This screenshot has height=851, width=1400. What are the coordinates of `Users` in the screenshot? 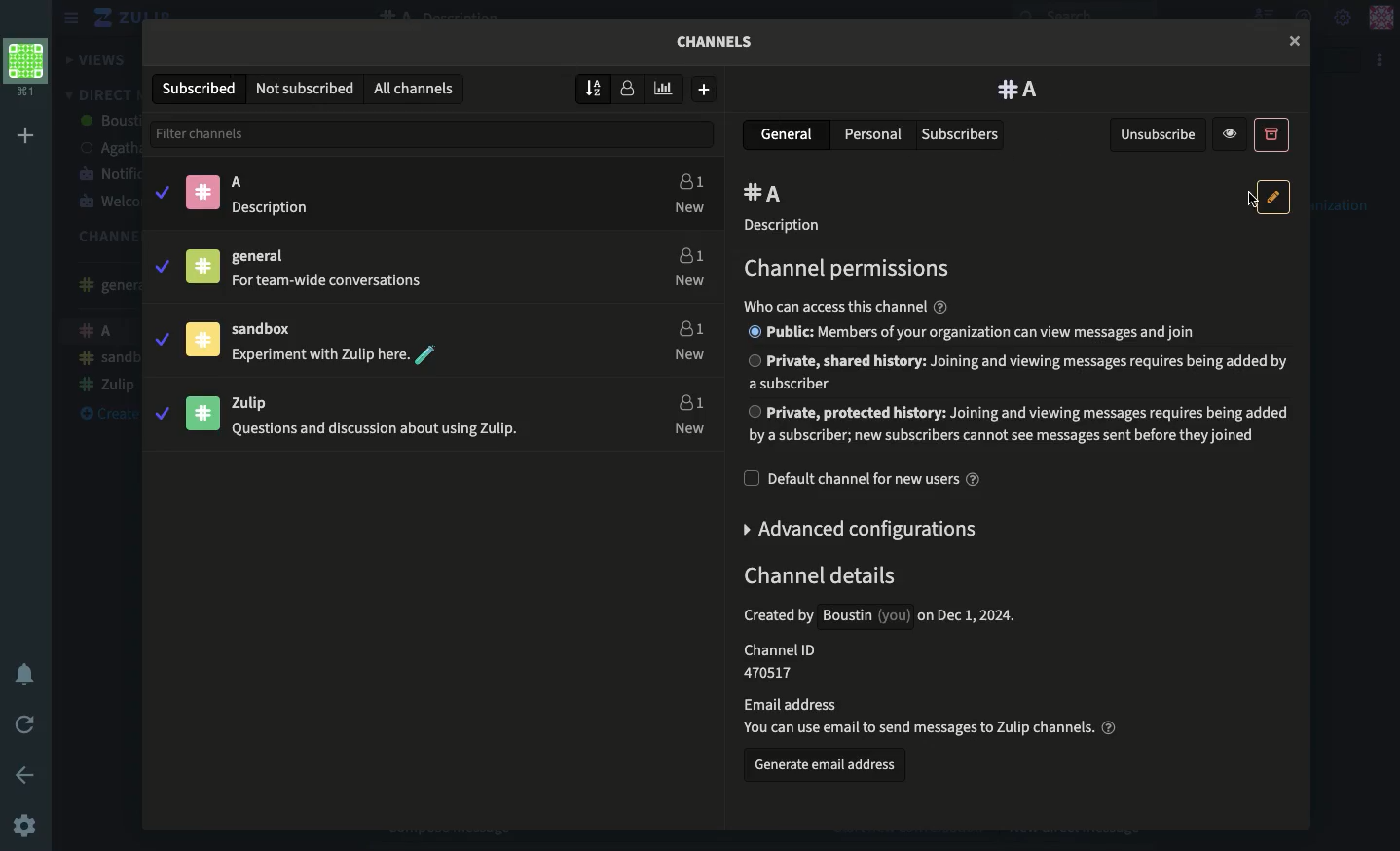 It's located at (685, 337).